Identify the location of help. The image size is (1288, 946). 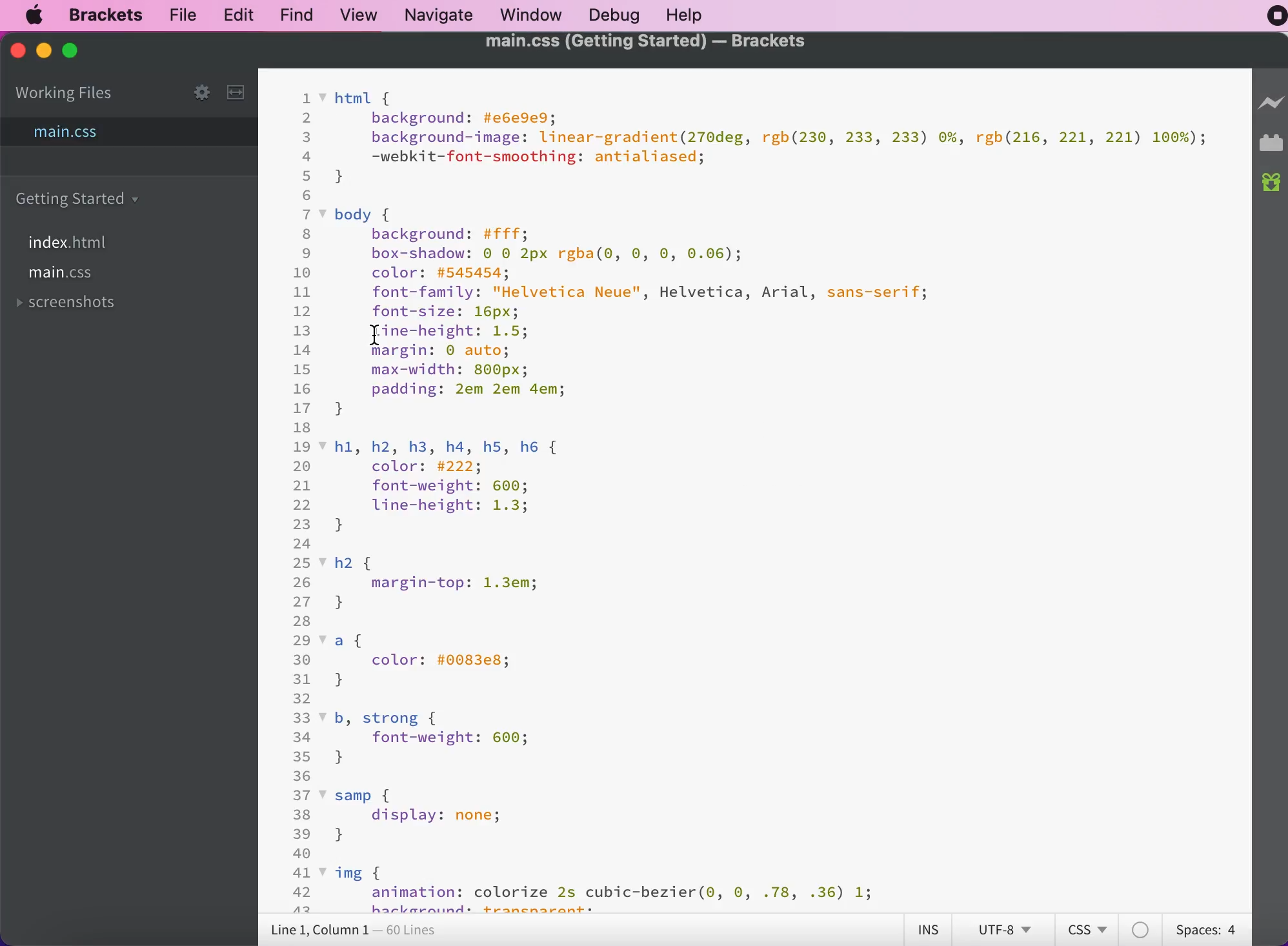
(692, 14).